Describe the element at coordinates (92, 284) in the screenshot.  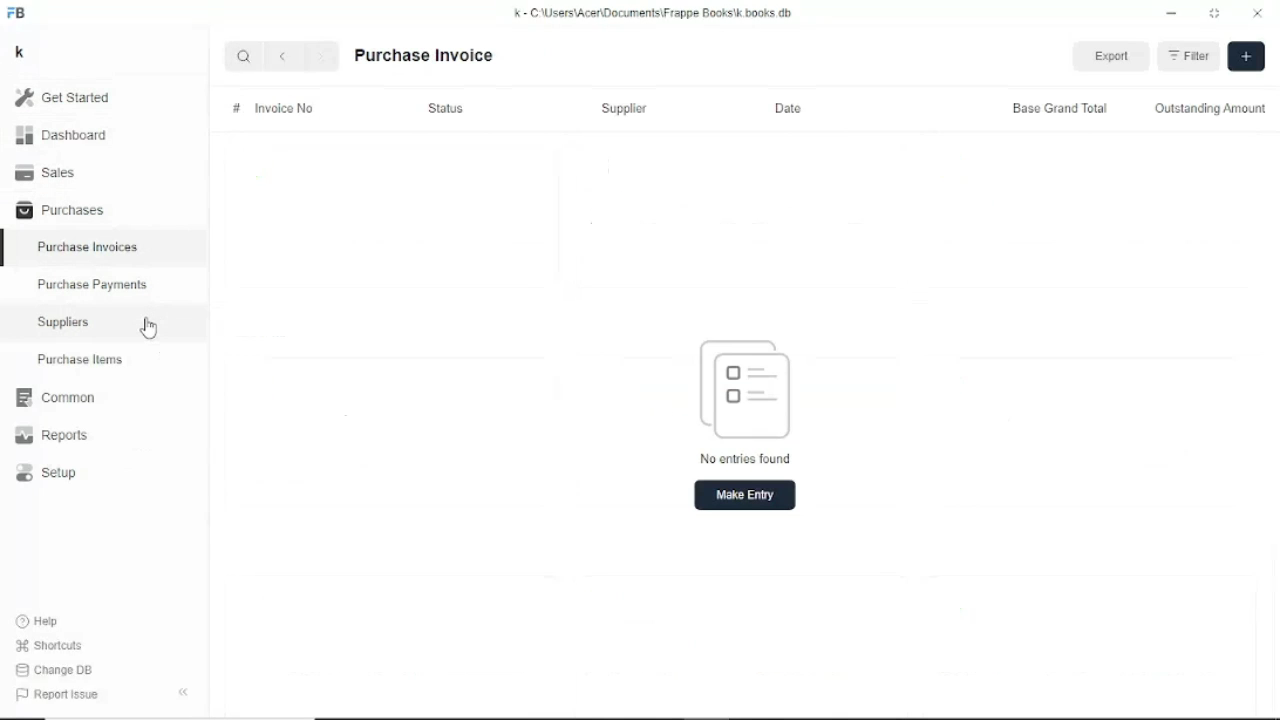
I see `Purchase payments` at that location.